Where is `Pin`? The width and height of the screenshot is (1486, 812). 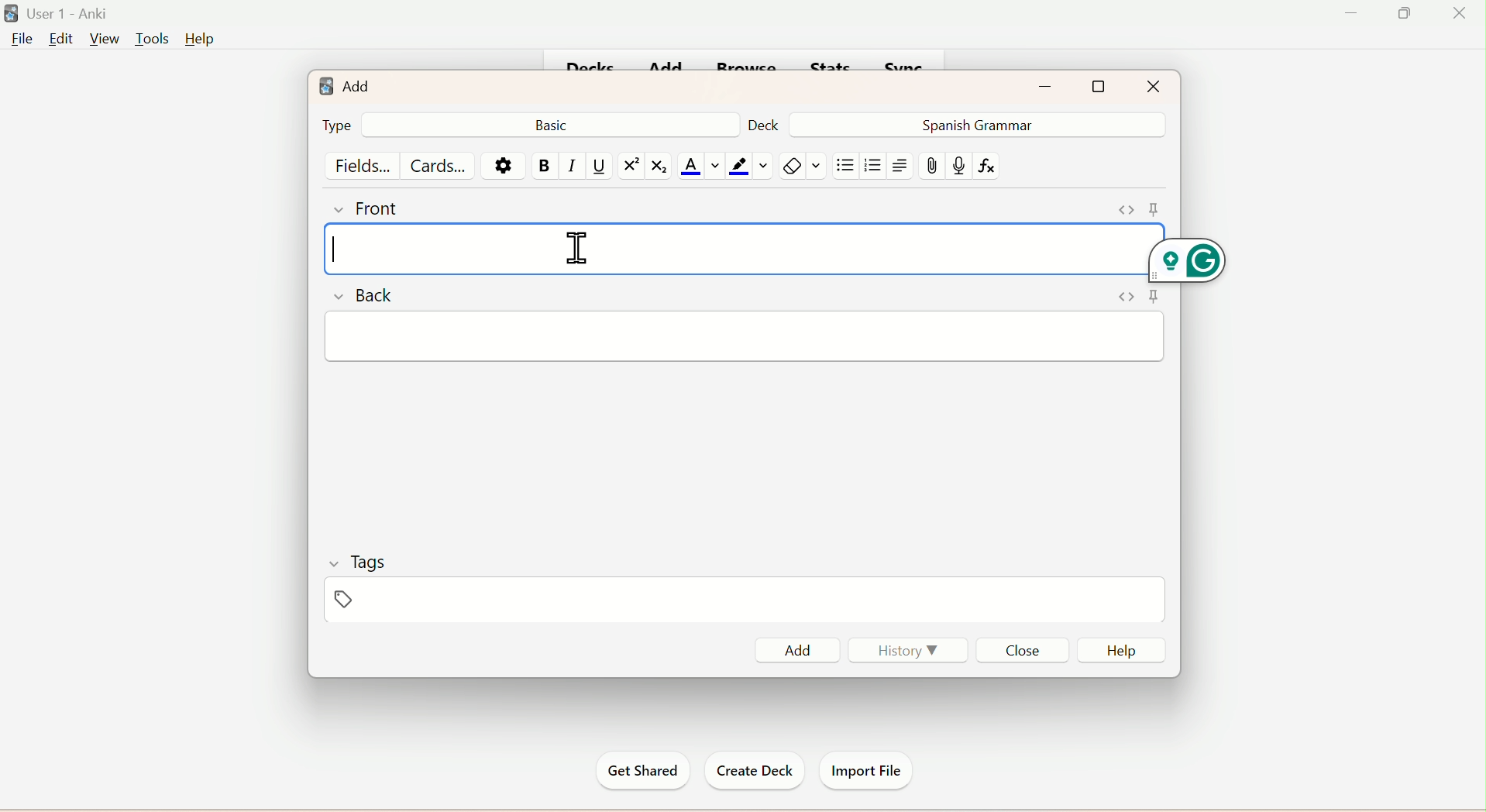
Pin is located at coordinates (1133, 207).